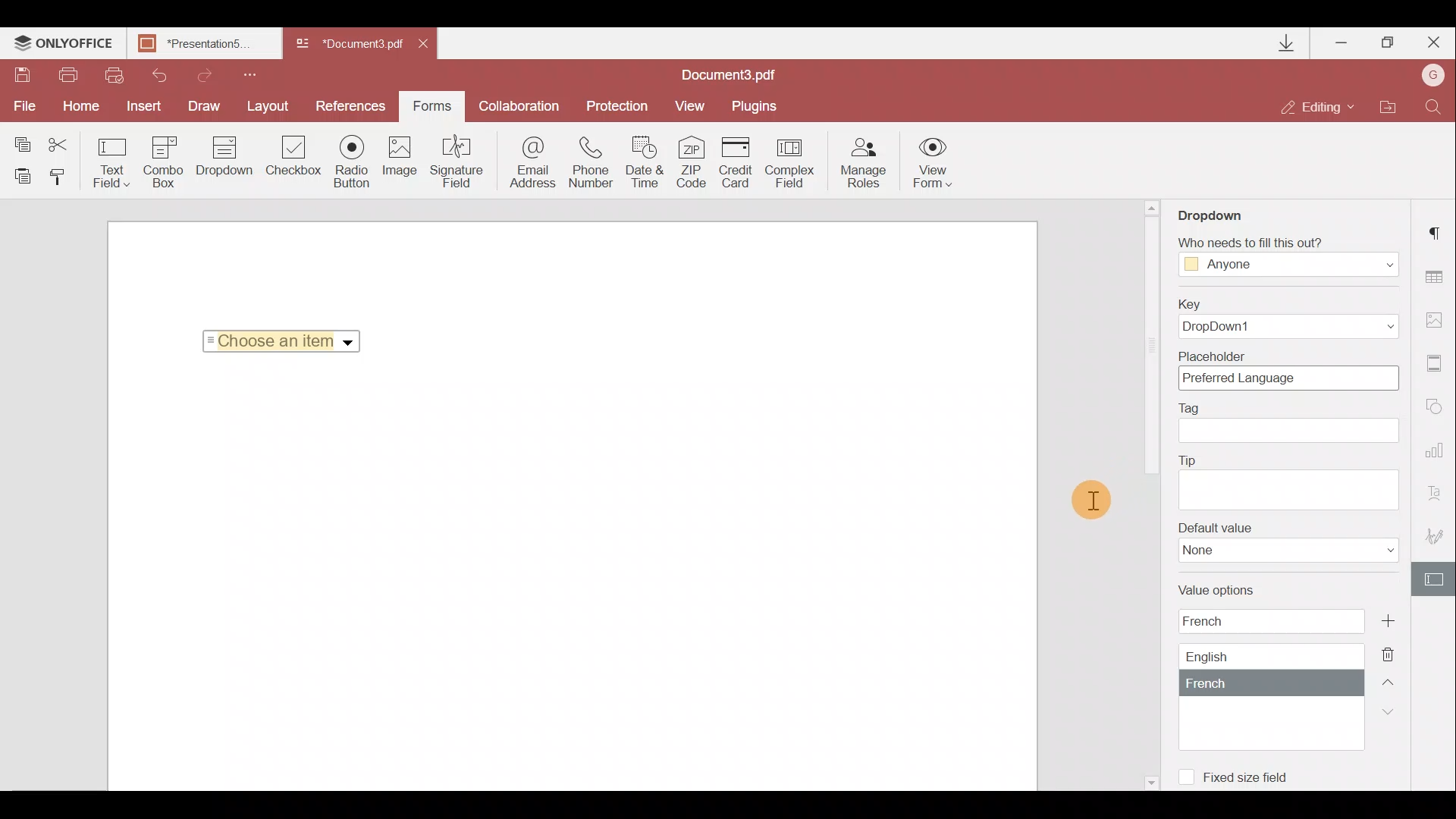 The width and height of the screenshot is (1456, 819). What do you see at coordinates (690, 105) in the screenshot?
I see `View` at bounding box center [690, 105].